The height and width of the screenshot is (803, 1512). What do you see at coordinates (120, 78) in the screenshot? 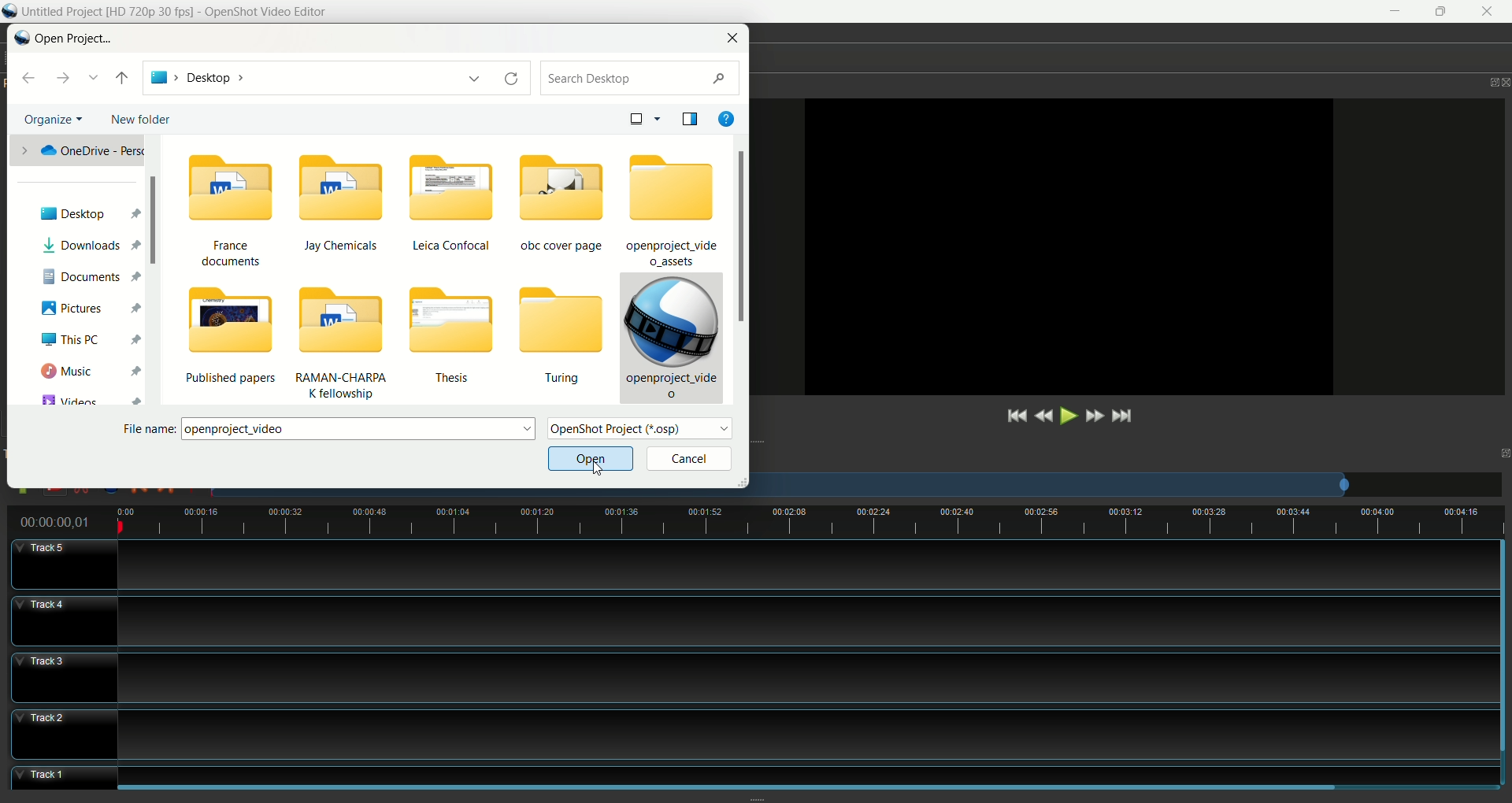
I see `up to` at bounding box center [120, 78].